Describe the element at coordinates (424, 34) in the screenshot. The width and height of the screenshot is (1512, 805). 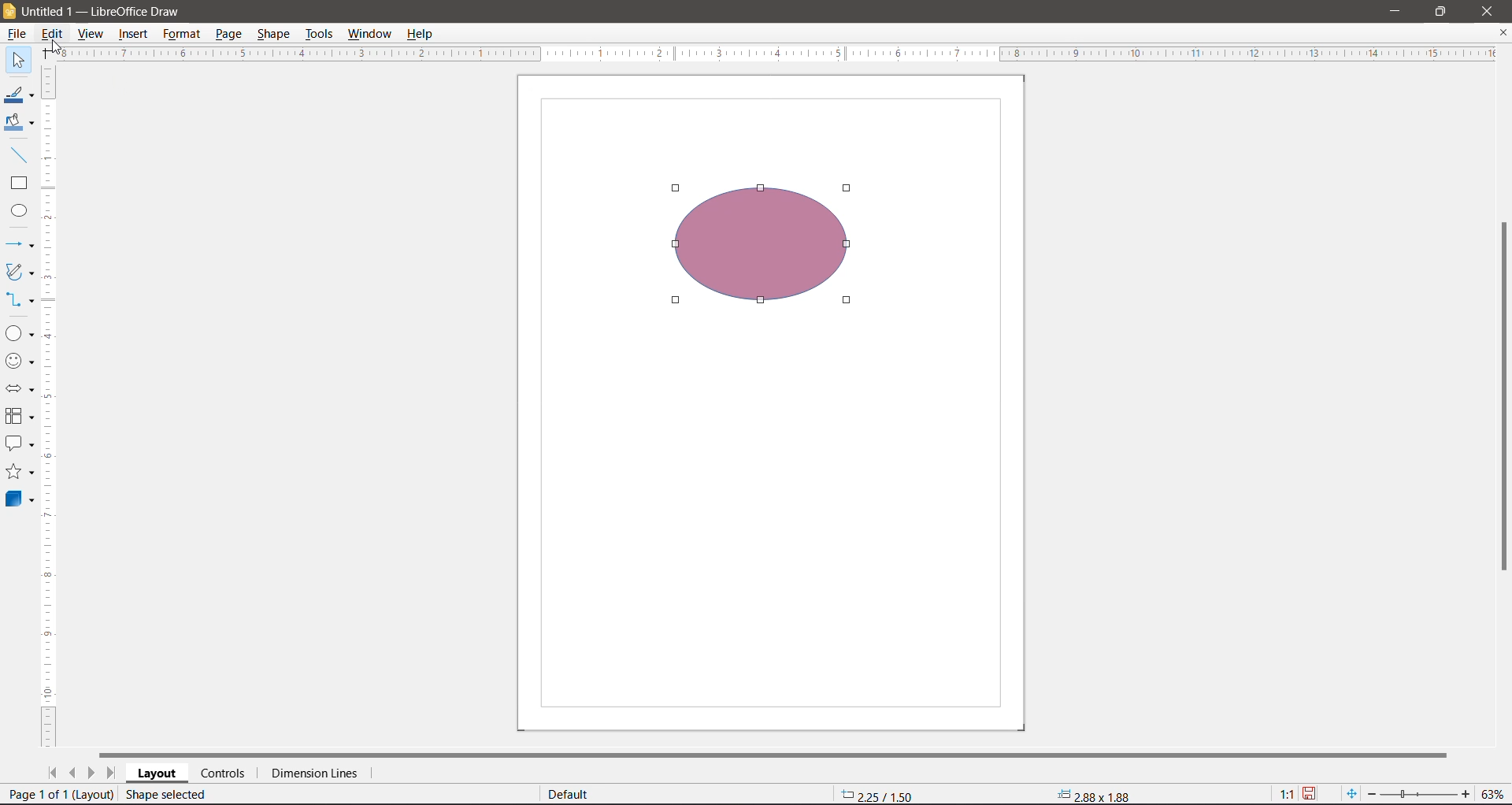
I see `Help` at that location.